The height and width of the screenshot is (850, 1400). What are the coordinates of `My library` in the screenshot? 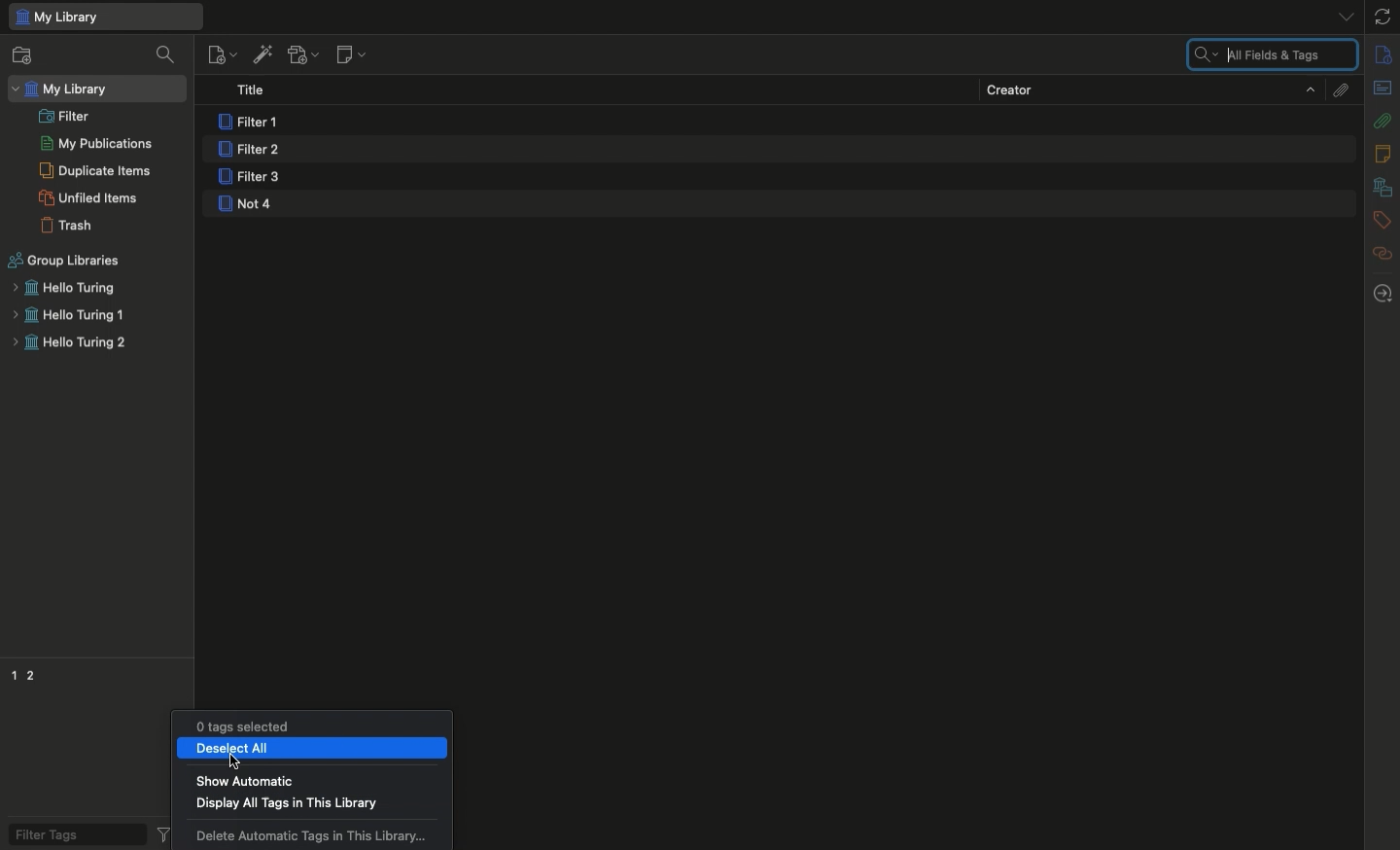 It's located at (63, 89).